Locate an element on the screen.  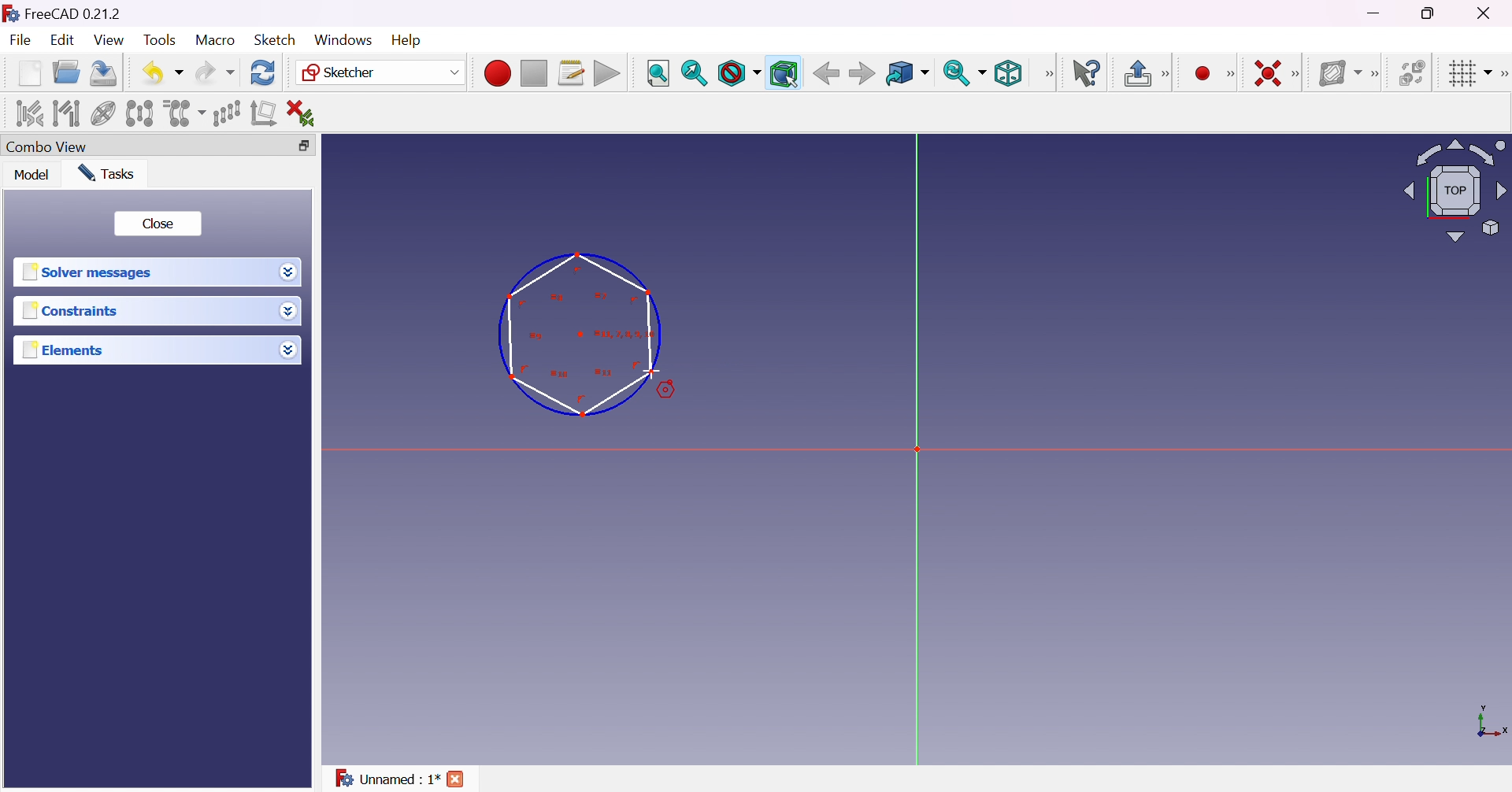
Sketcher is located at coordinates (381, 72).